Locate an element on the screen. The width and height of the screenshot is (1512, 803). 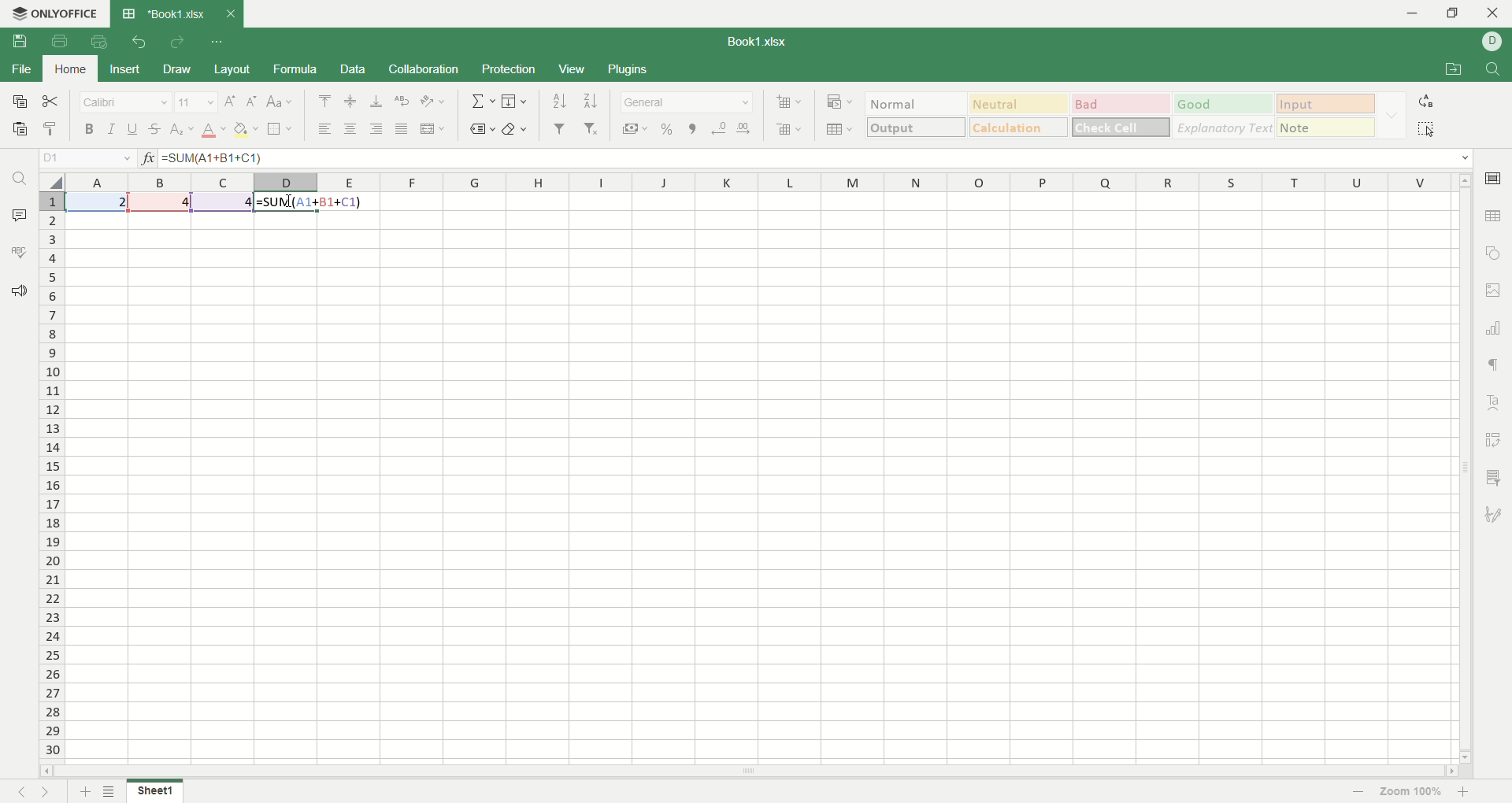
sheet1 is located at coordinates (154, 790).